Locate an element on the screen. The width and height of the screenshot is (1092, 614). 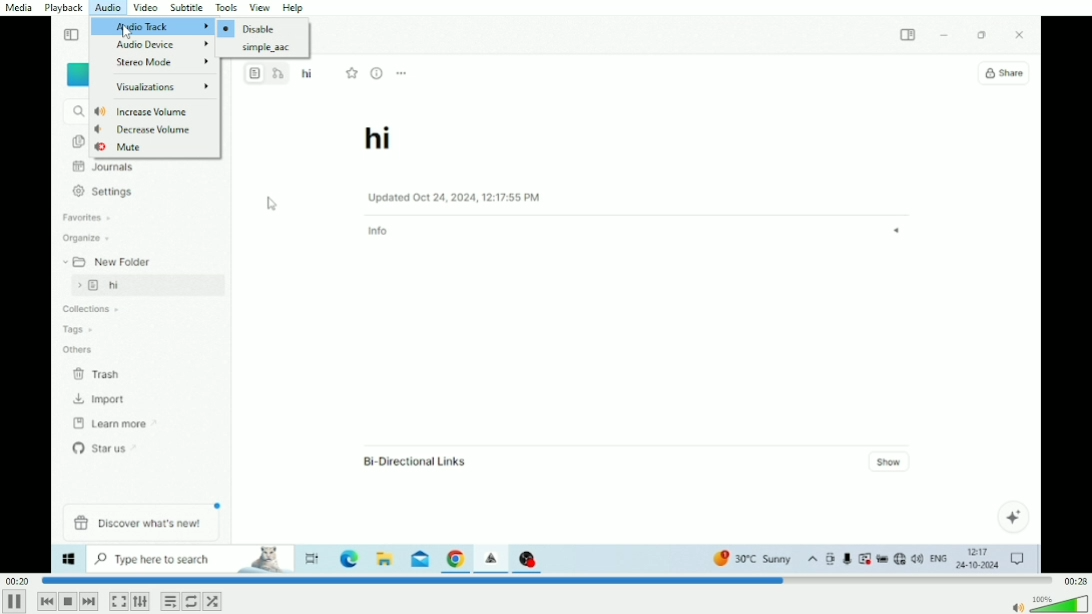
Toggle playlist is located at coordinates (170, 601).